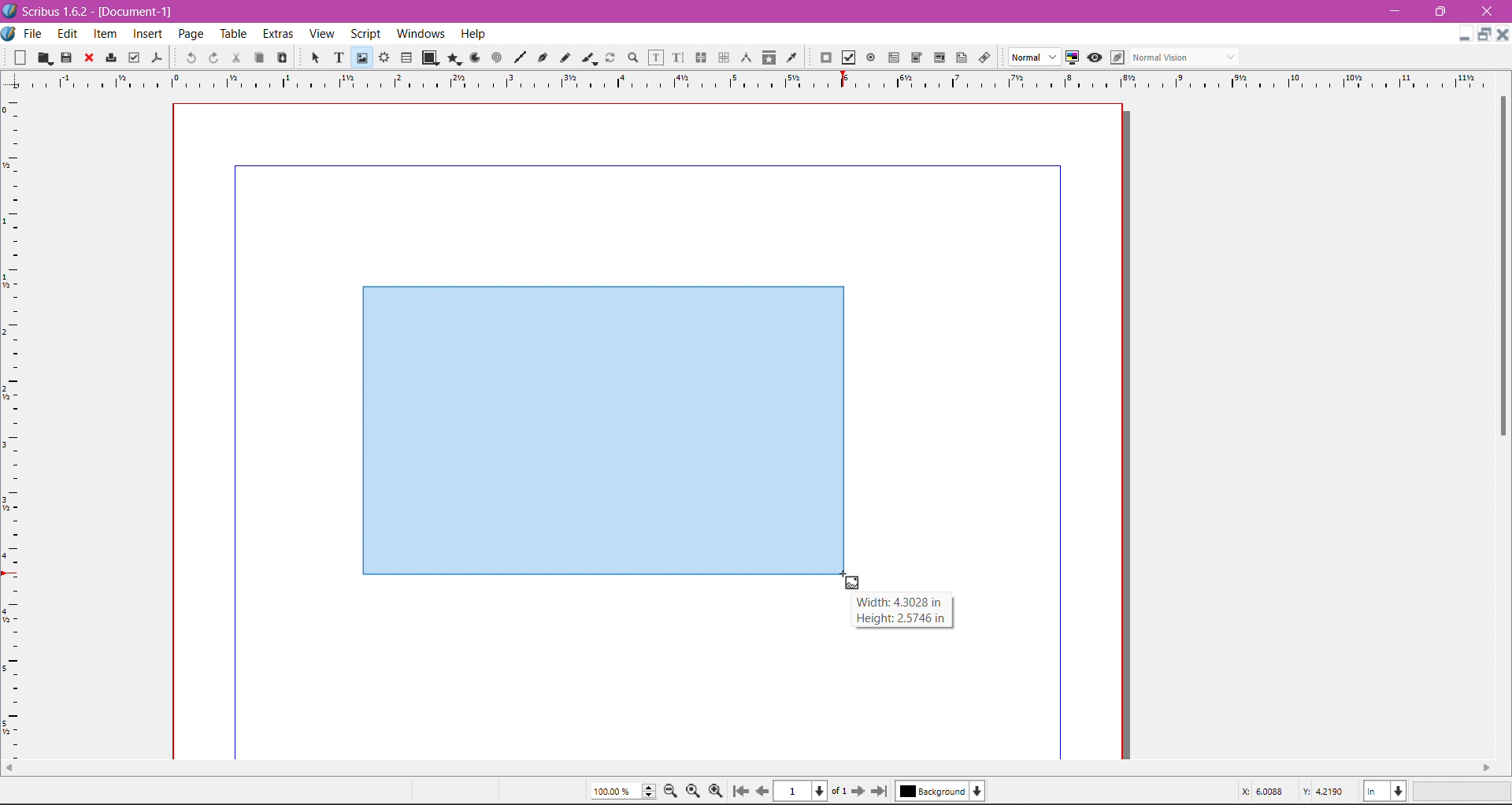 This screenshot has height=805, width=1512. I want to click on Zoom Level, so click(1464, 792).